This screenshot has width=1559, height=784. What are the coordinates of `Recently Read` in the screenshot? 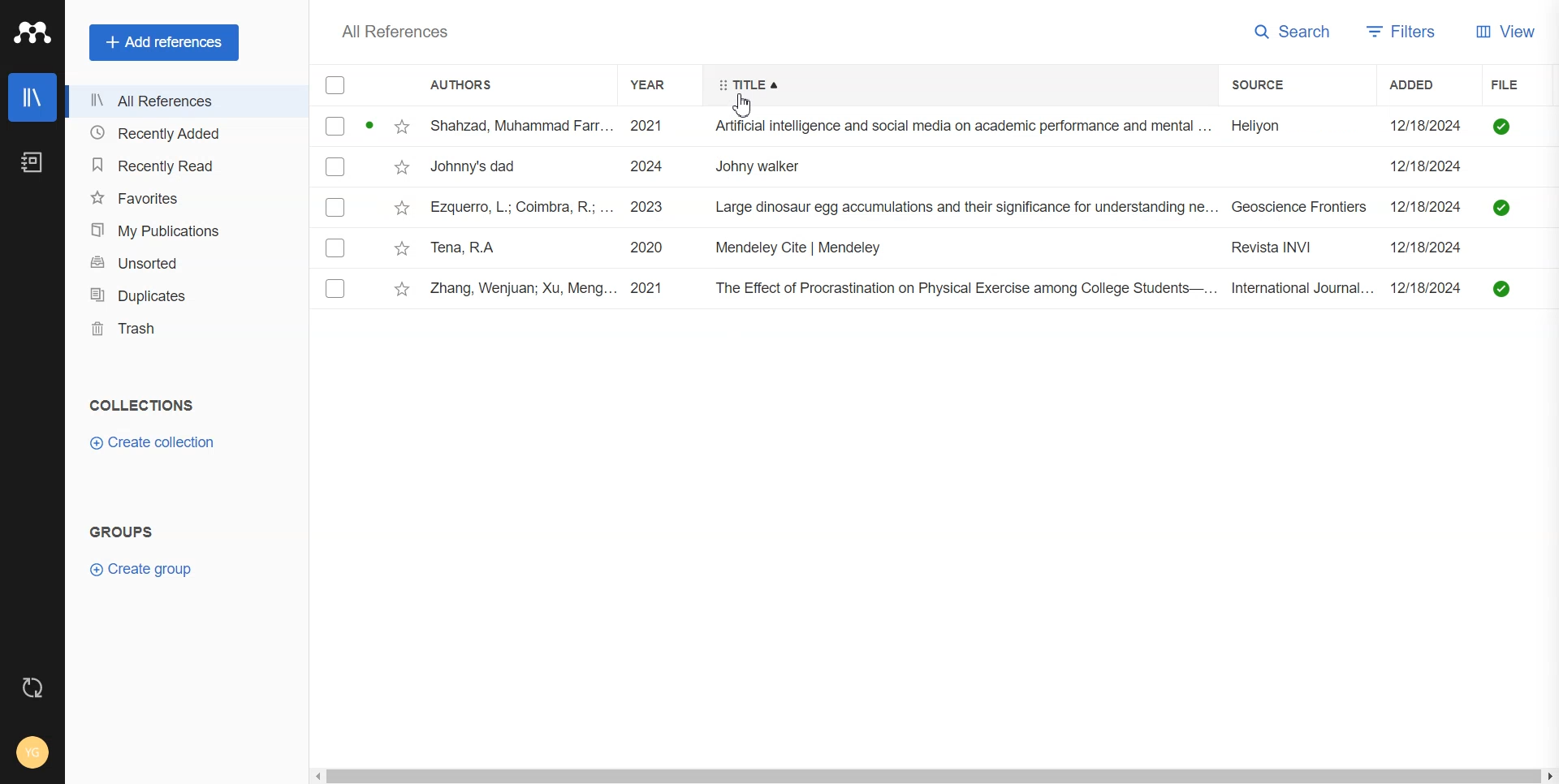 It's located at (186, 165).